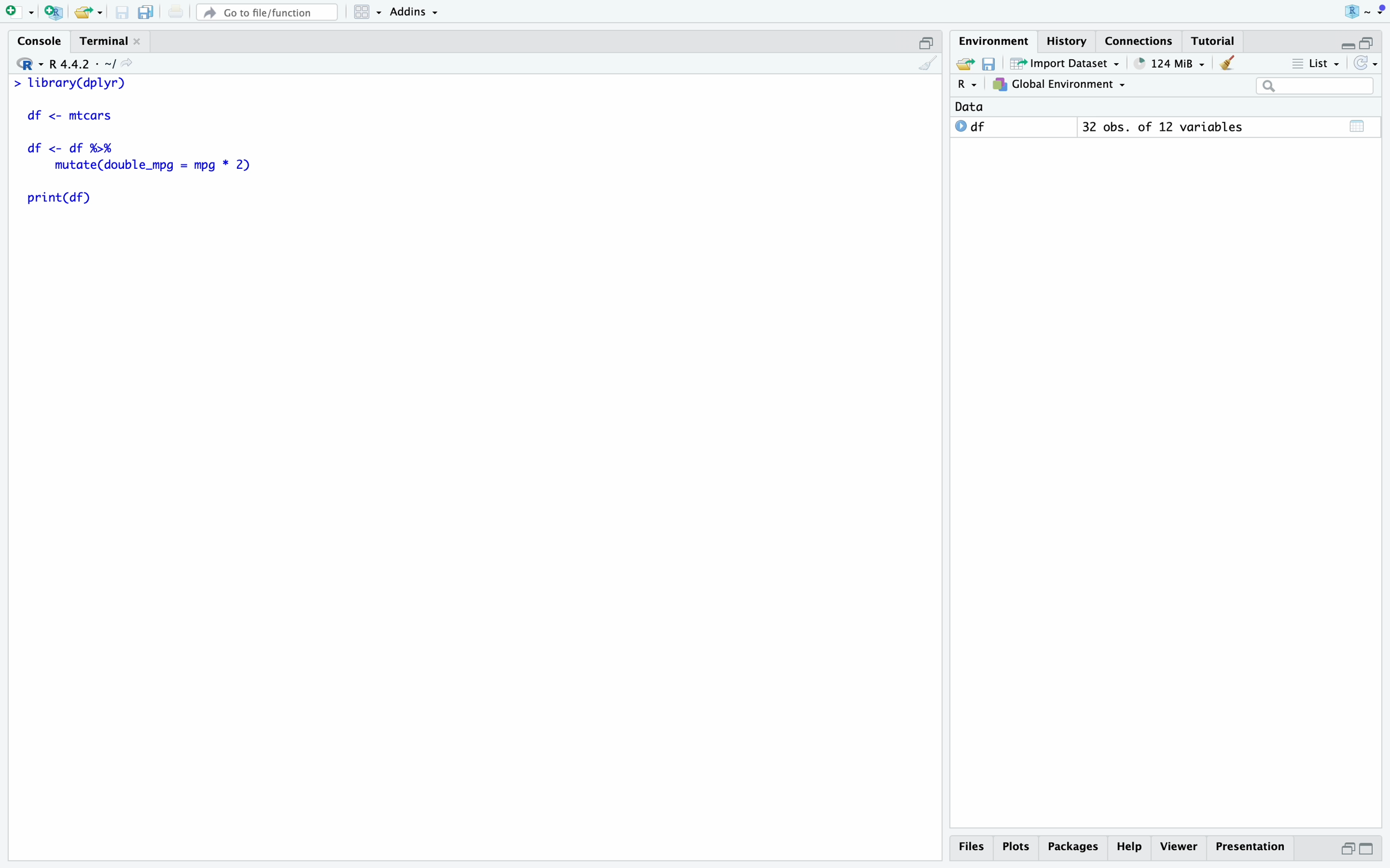  Describe the element at coordinates (123, 13) in the screenshot. I see `save` at that location.